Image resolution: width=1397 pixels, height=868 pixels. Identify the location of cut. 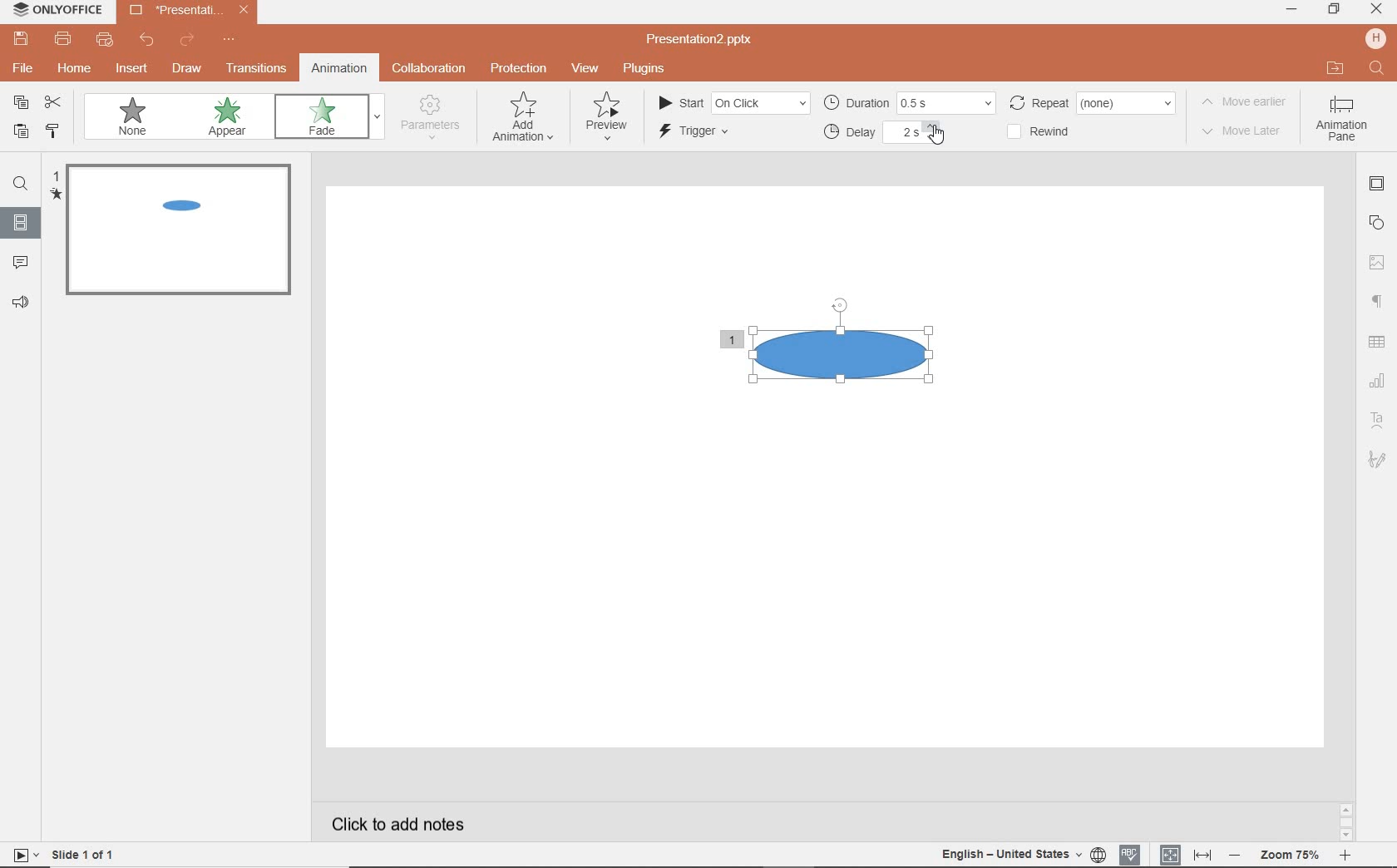
(52, 103).